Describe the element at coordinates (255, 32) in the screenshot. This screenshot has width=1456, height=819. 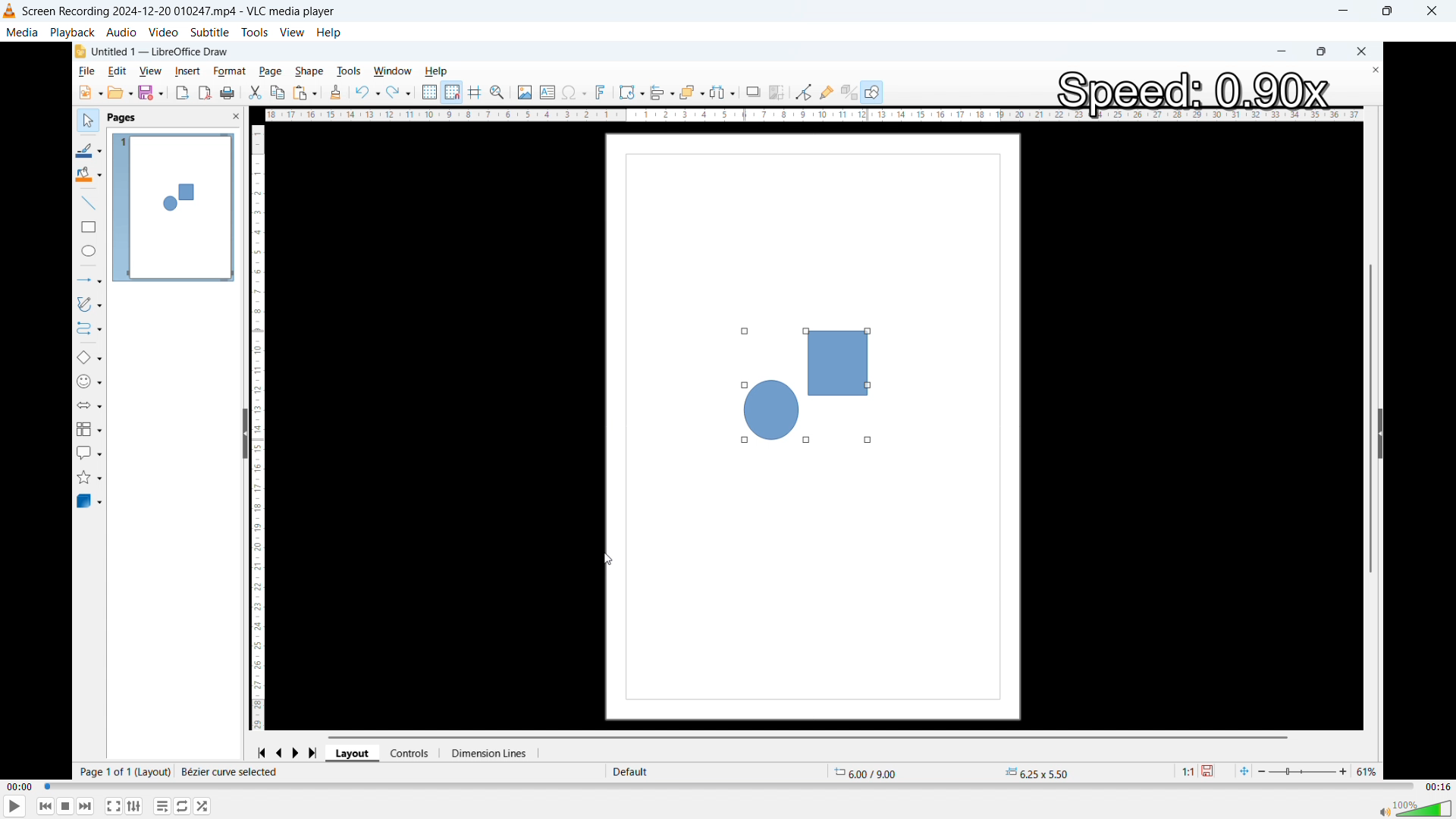
I see `Tools ` at that location.